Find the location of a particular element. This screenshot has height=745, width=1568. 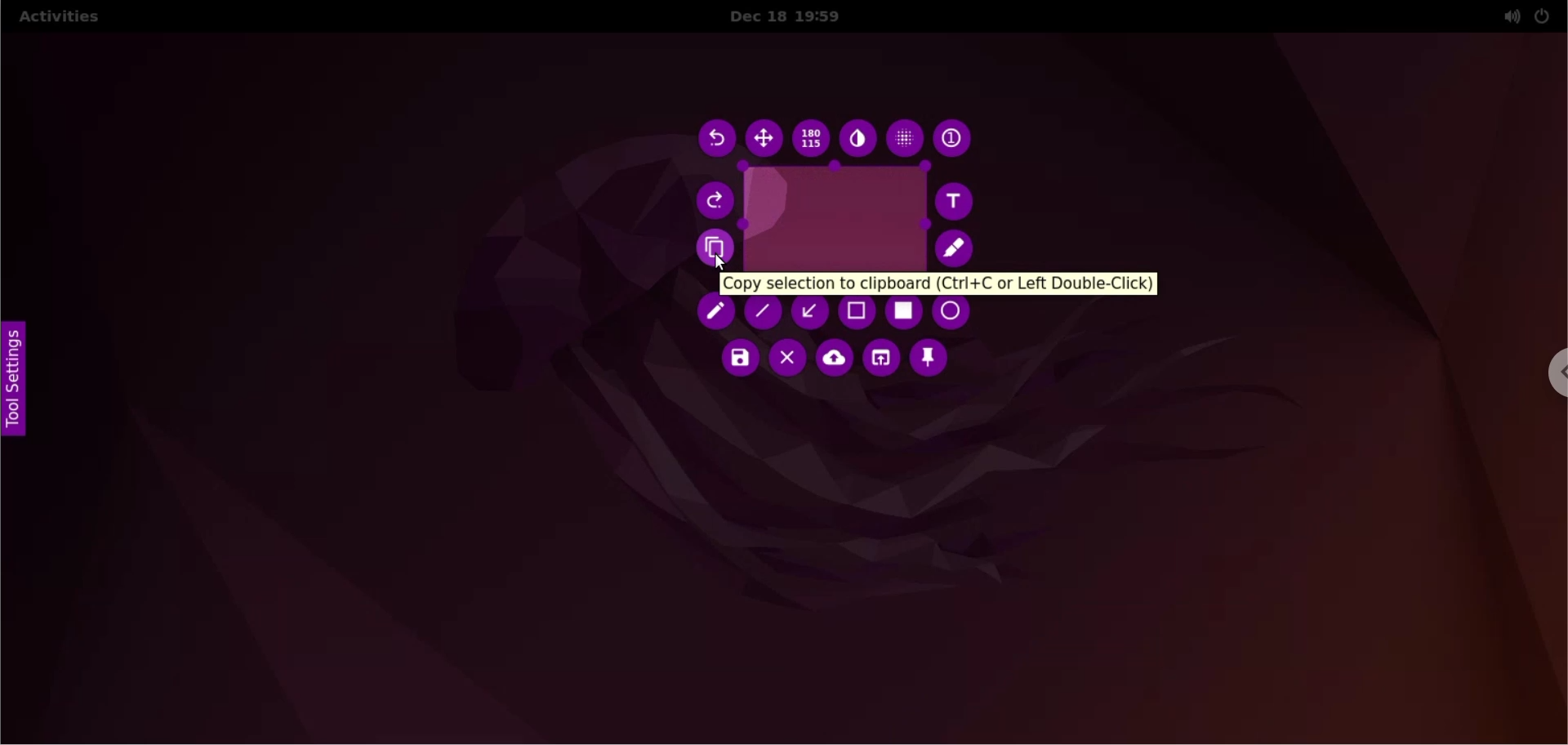

cursor is located at coordinates (723, 263).